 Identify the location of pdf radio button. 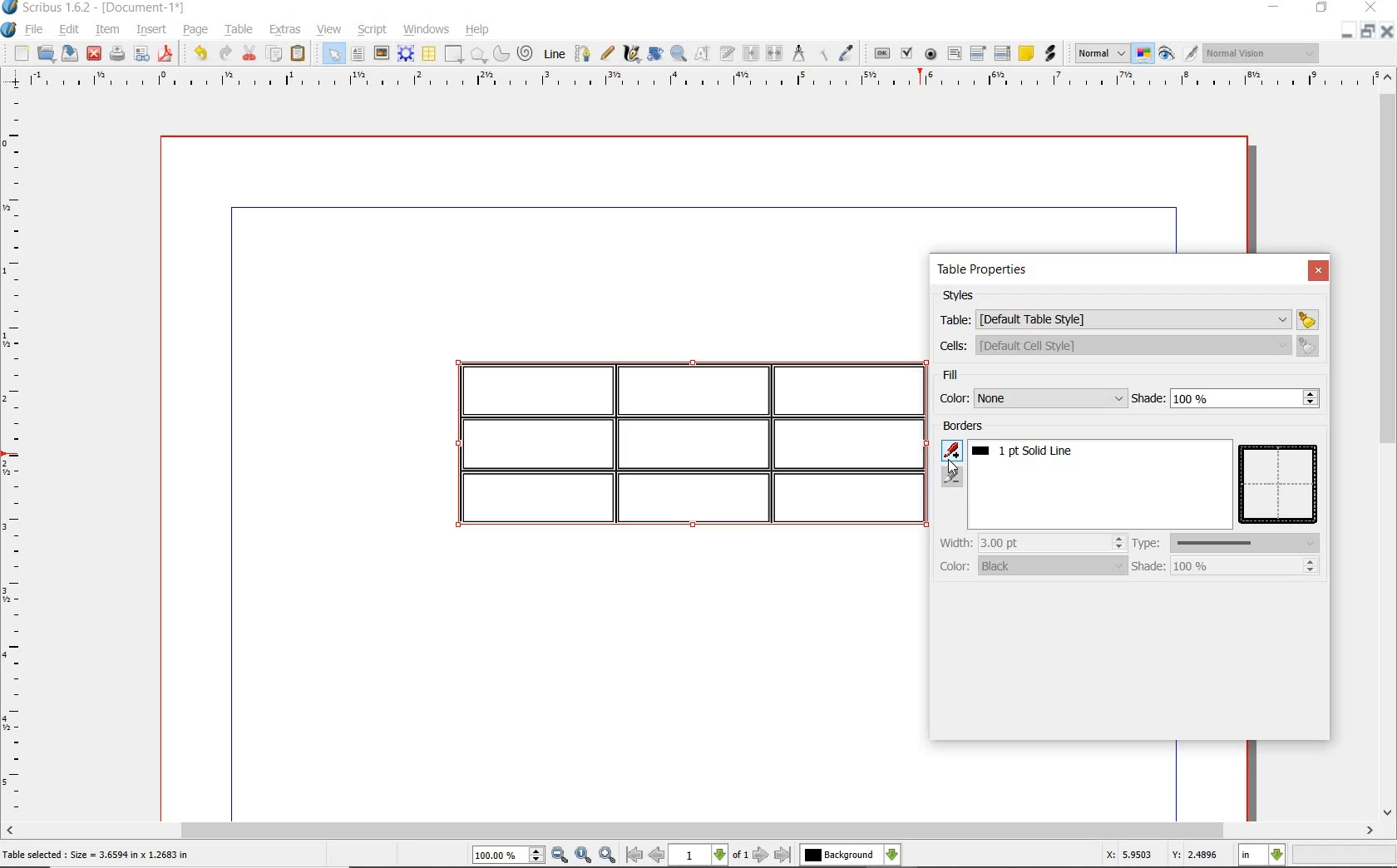
(931, 55).